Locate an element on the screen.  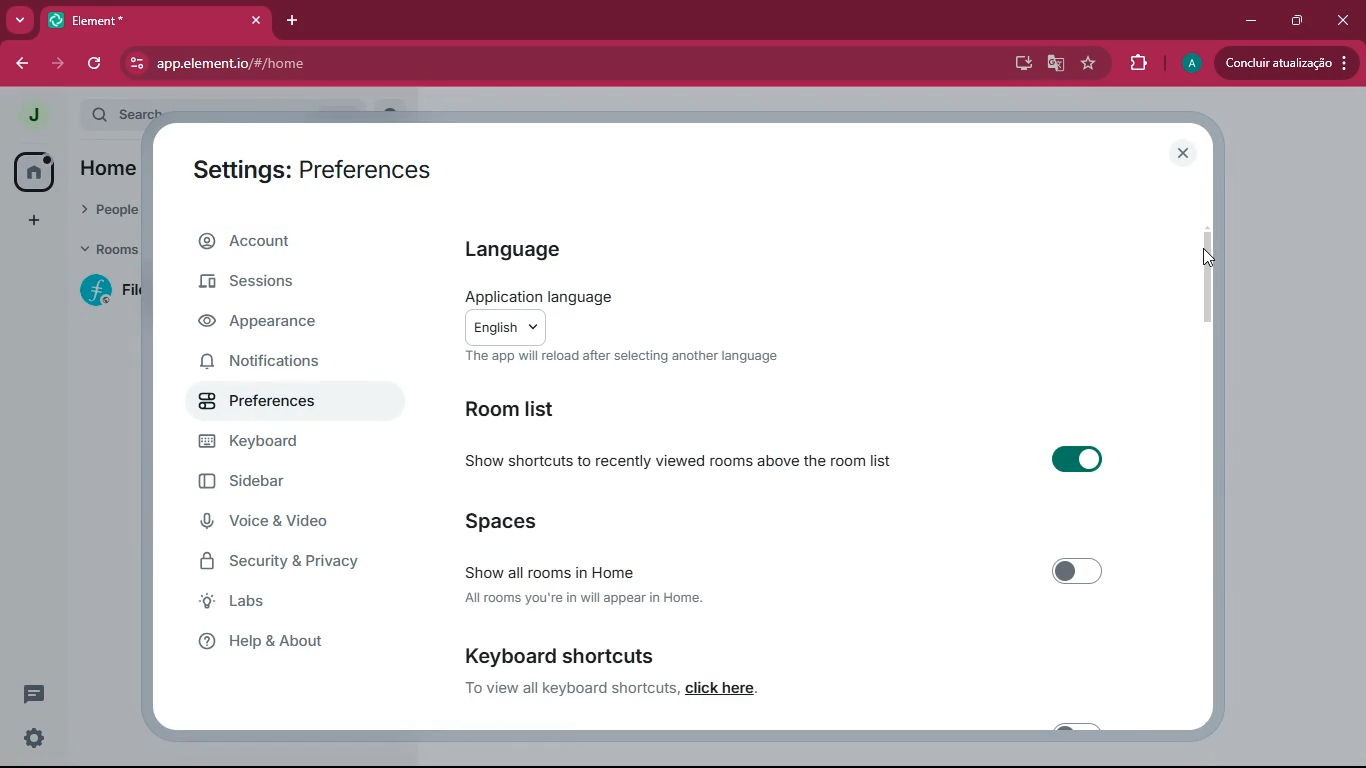
j is located at coordinates (32, 116).